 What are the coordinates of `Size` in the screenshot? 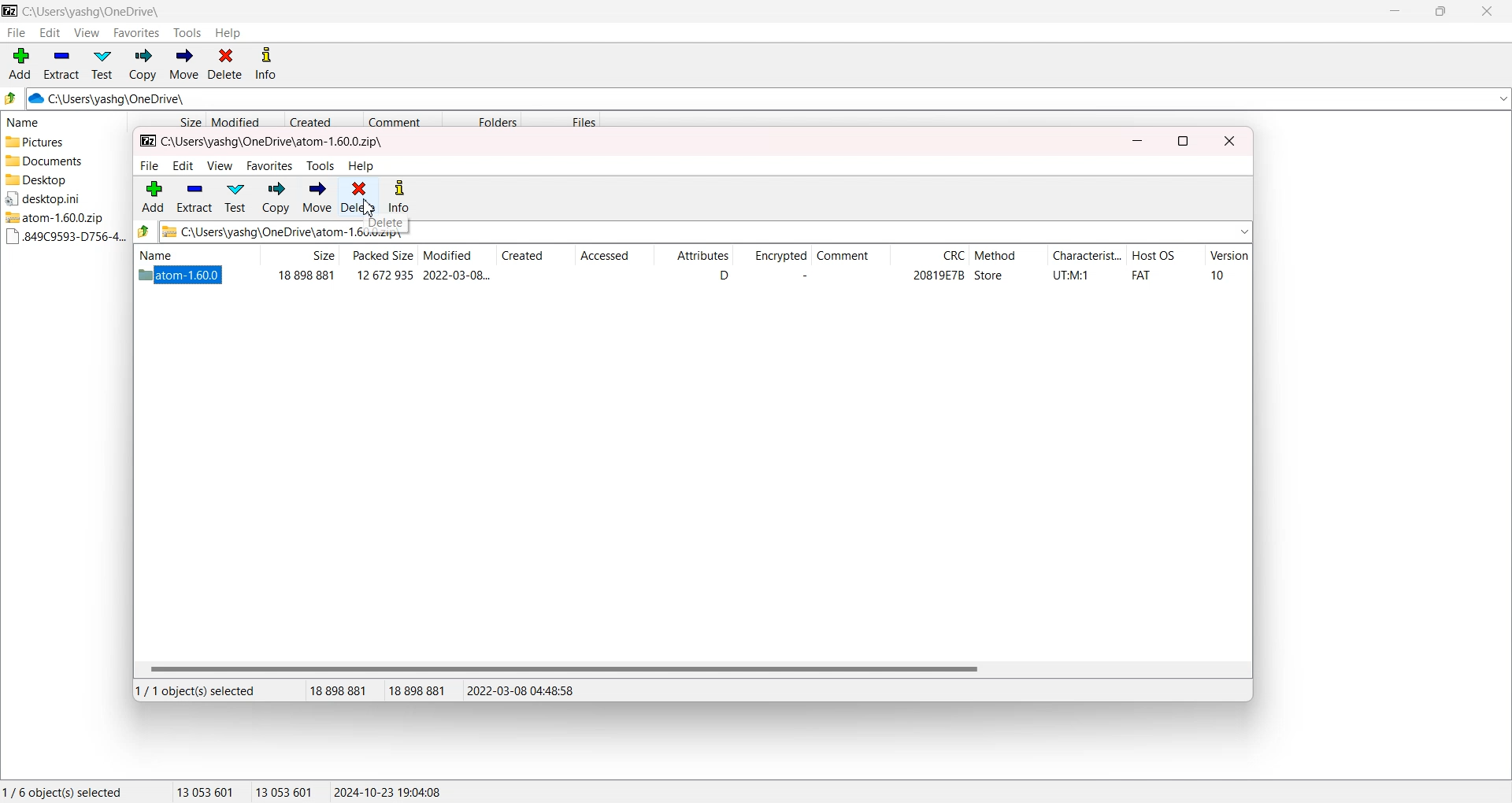 It's located at (299, 255).